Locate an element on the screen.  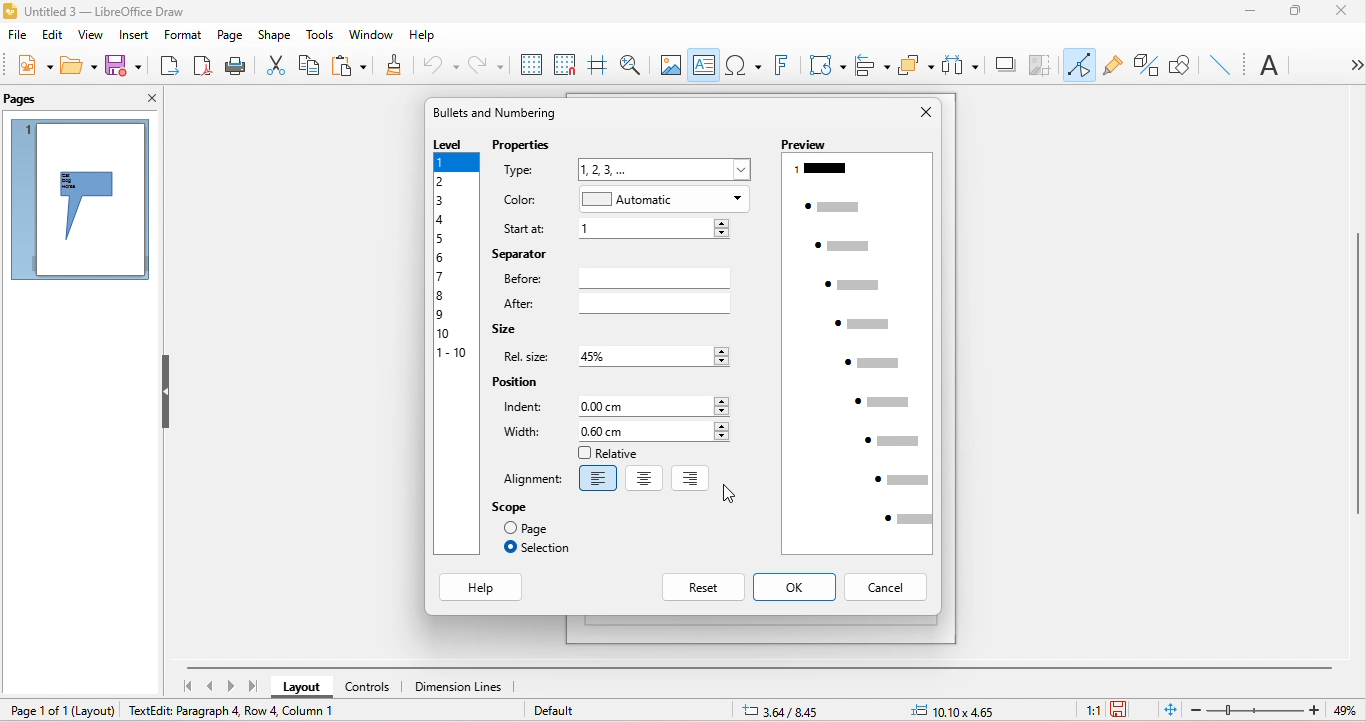
relative is located at coordinates (610, 452).